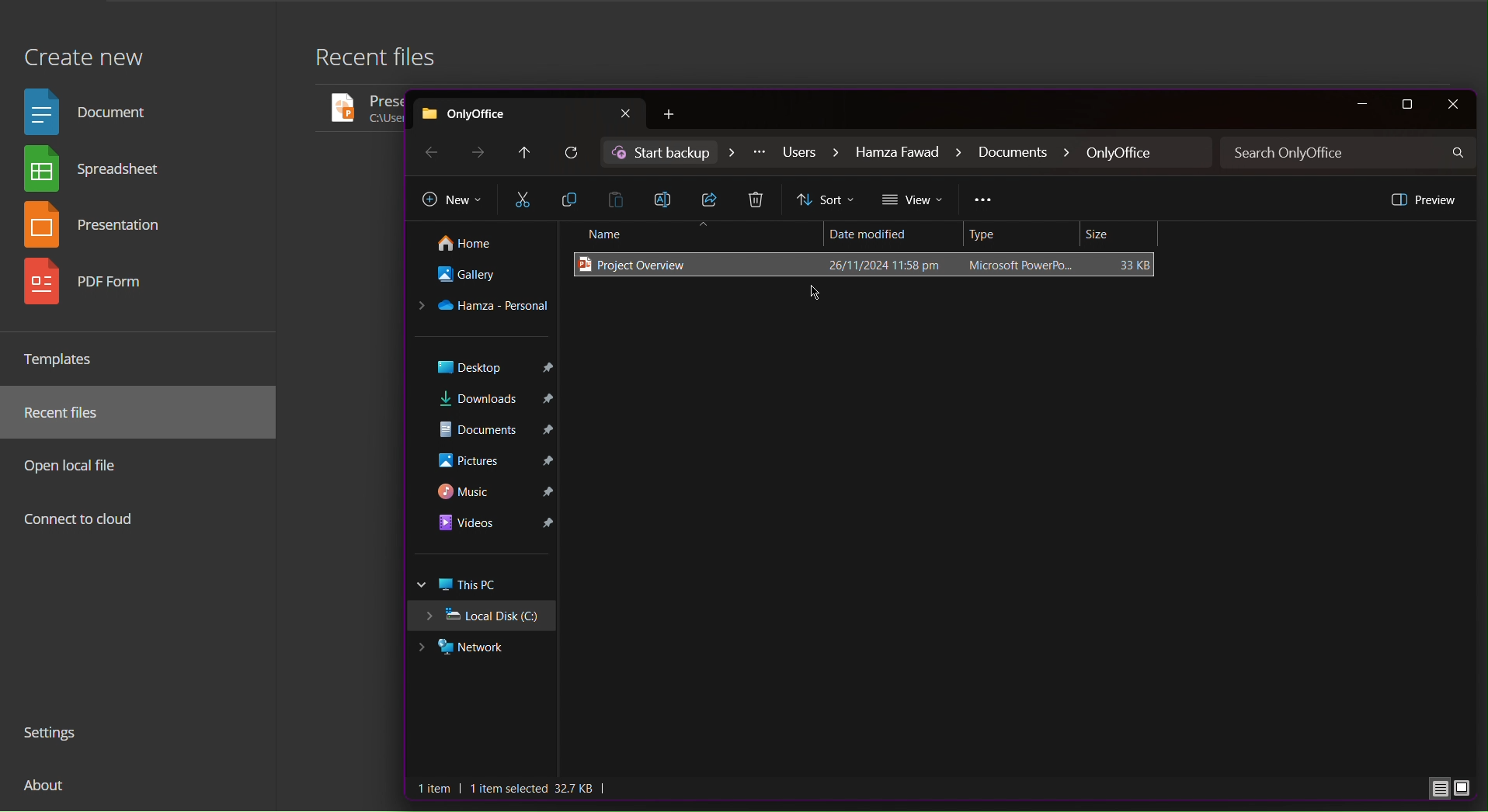  Describe the element at coordinates (487, 618) in the screenshot. I see `Local Disk` at that location.